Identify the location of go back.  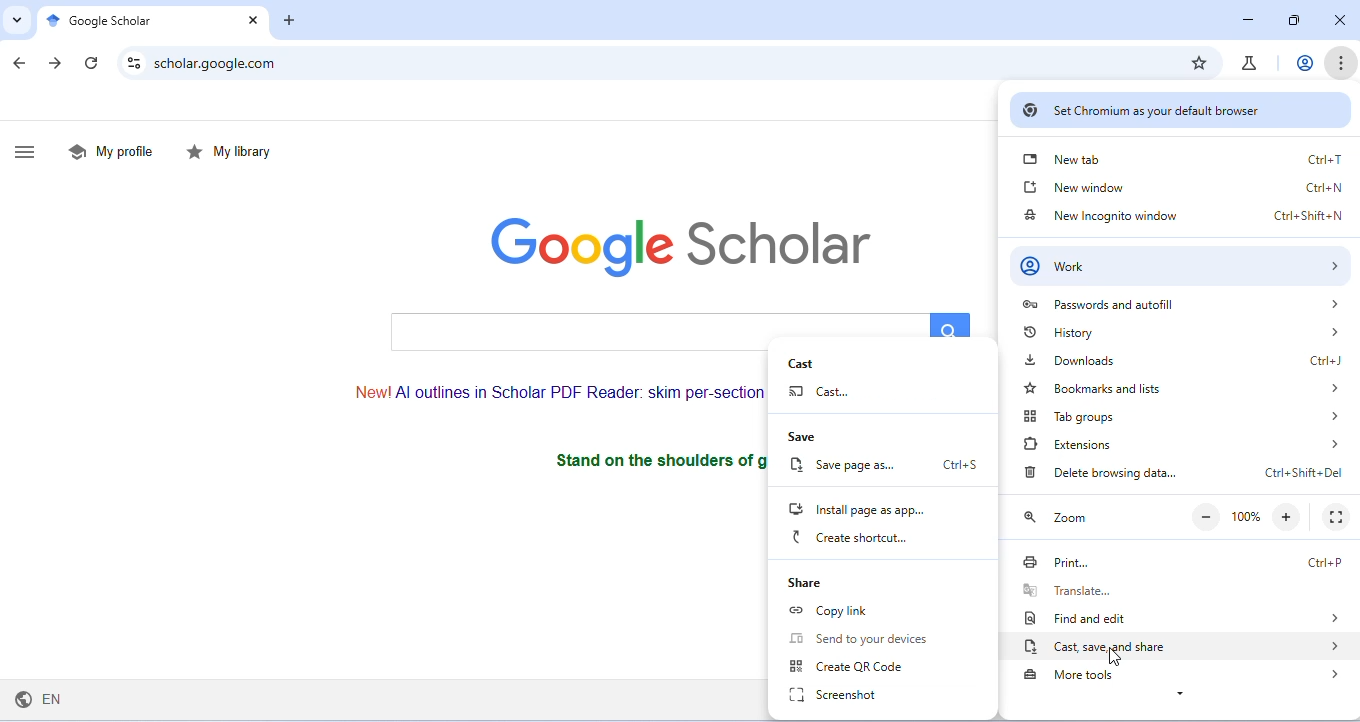
(23, 64).